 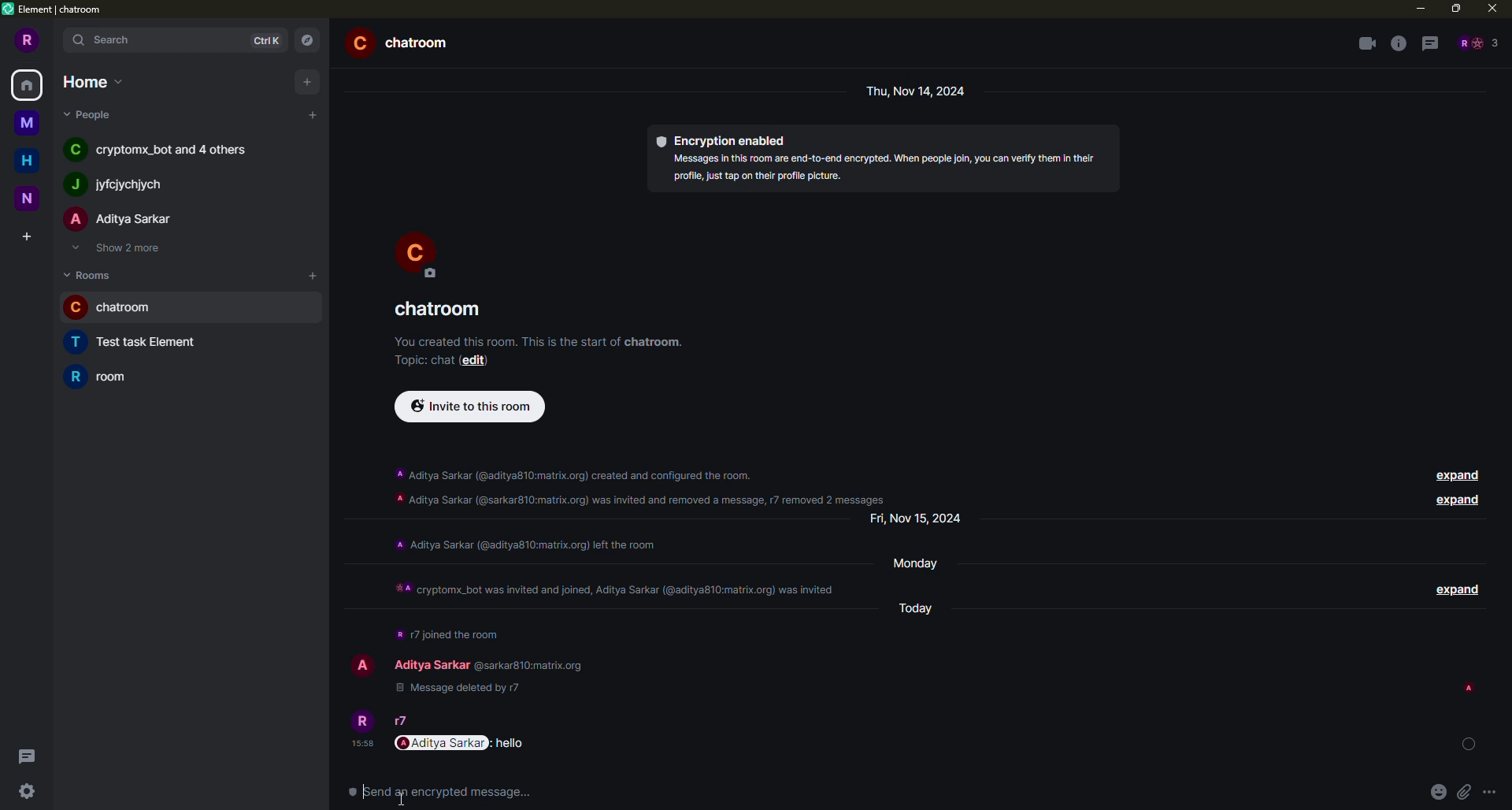 What do you see at coordinates (27, 160) in the screenshot?
I see `home` at bounding box center [27, 160].